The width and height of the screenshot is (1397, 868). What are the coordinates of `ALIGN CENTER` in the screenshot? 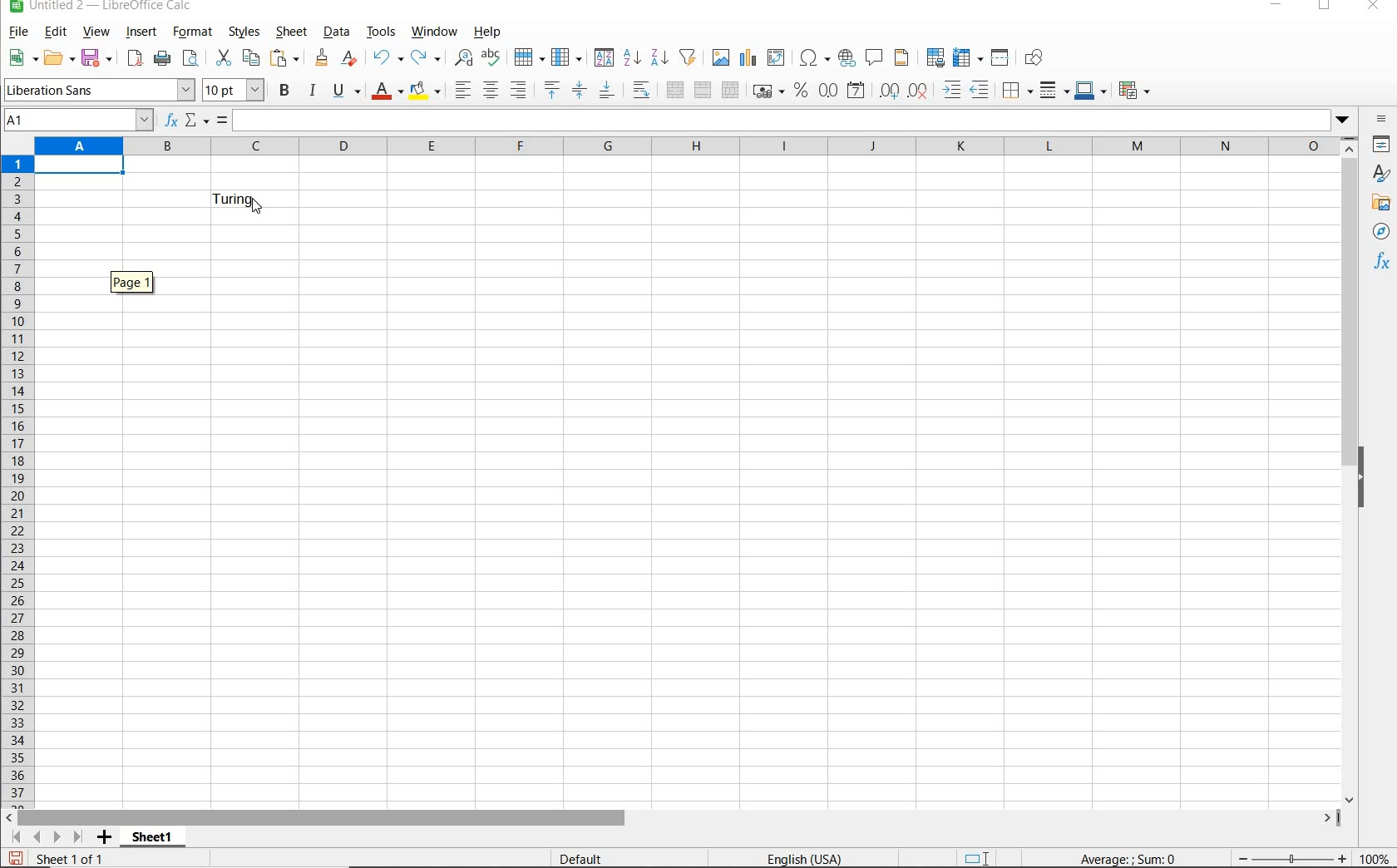 It's located at (492, 91).